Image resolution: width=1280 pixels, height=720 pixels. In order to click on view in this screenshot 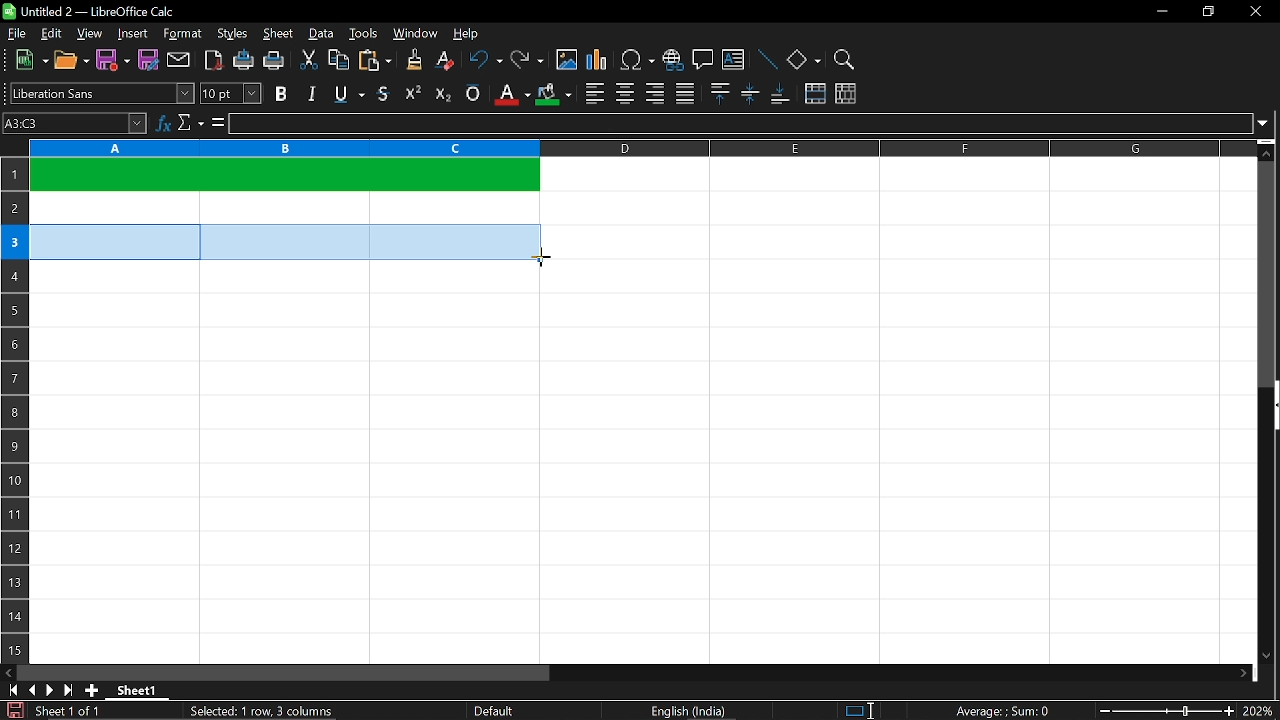, I will do `click(88, 34)`.